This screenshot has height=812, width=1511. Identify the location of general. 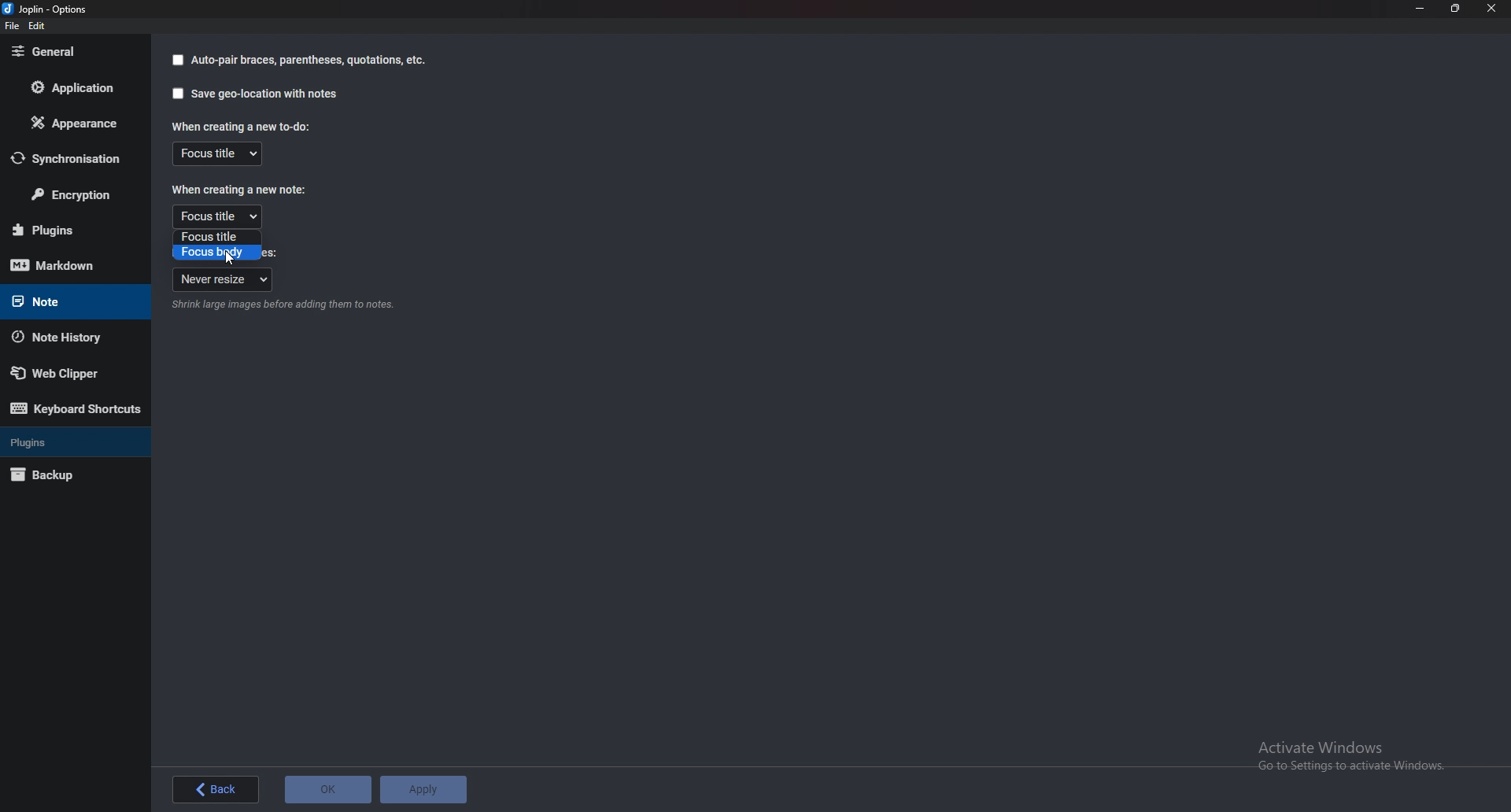
(70, 50).